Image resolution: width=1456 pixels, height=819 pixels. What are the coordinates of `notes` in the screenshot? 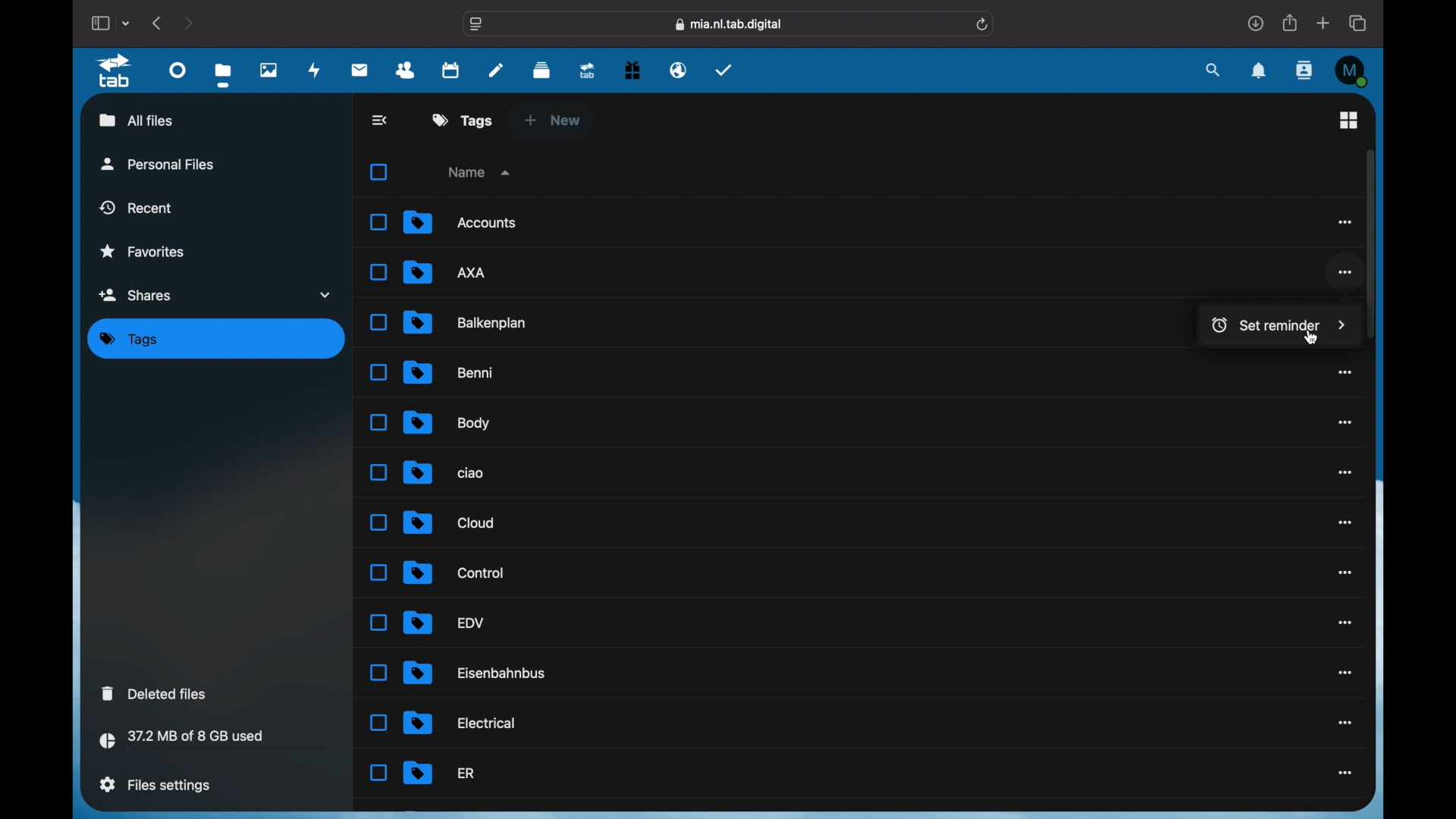 It's located at (496, 70).